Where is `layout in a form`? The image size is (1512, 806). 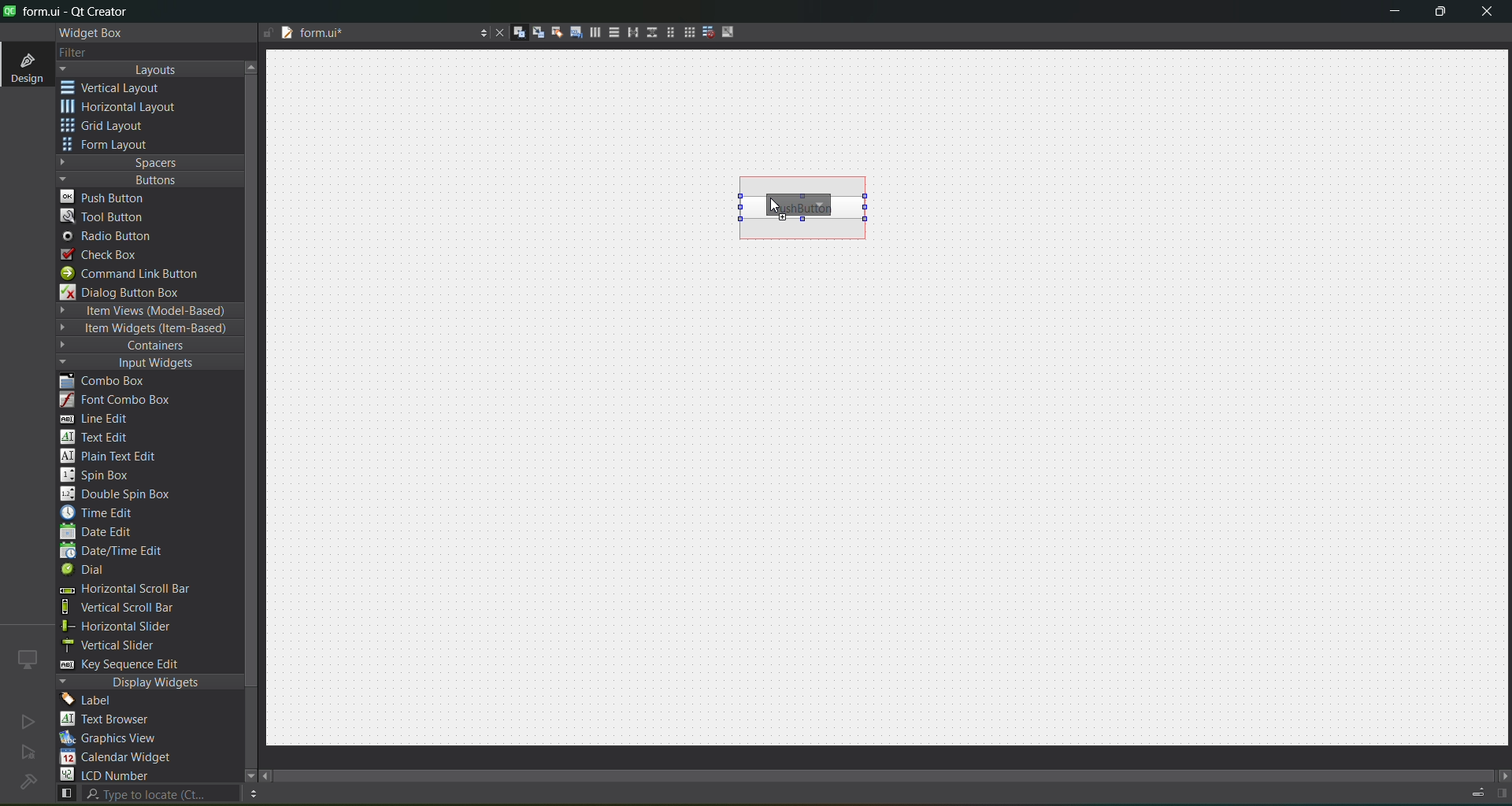
layout in a form is located at coordinates (665, 32).